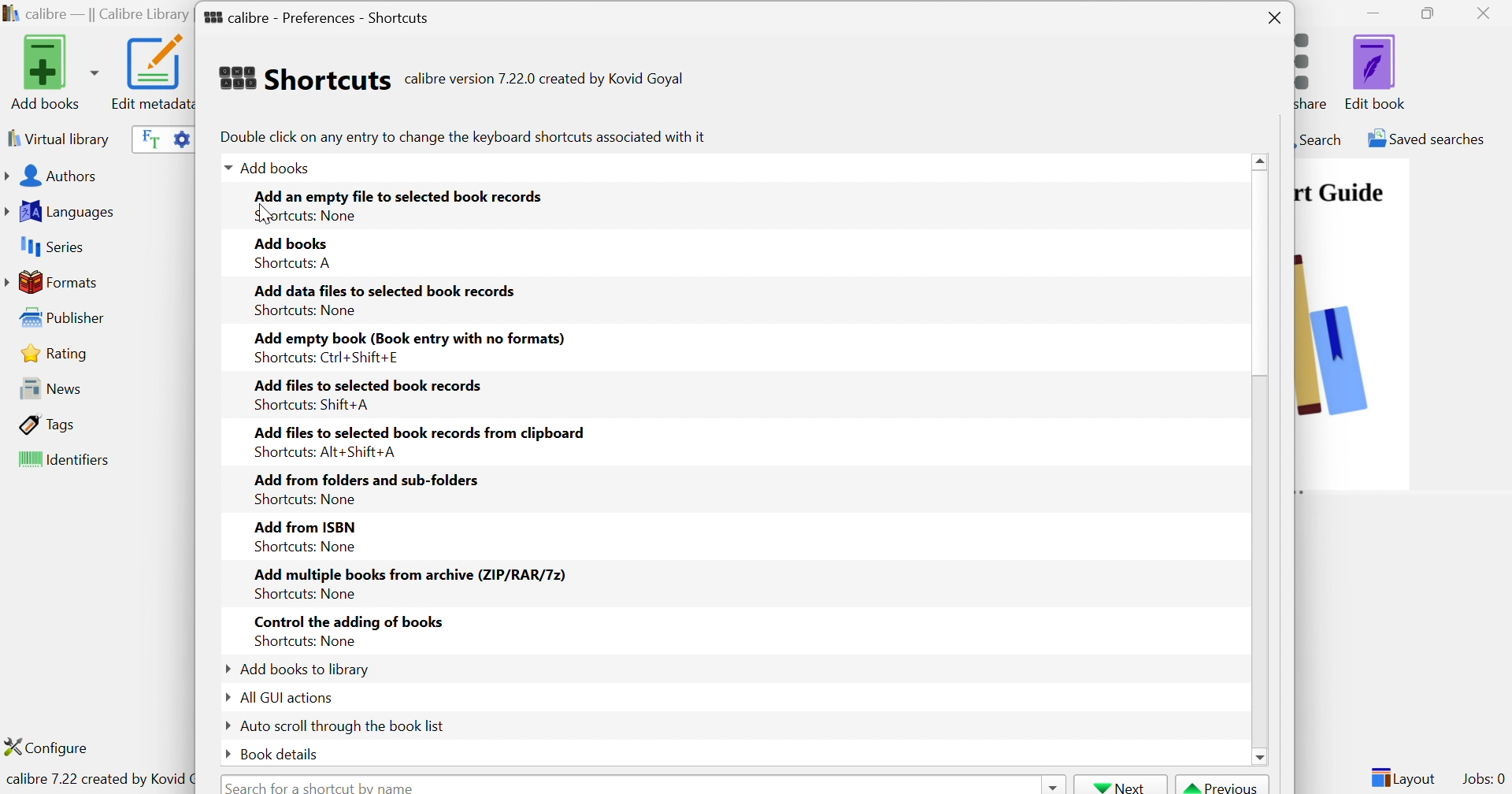 The image size is (1512, 794). I want to click on Add data files to selected book records, so click(388, 291).